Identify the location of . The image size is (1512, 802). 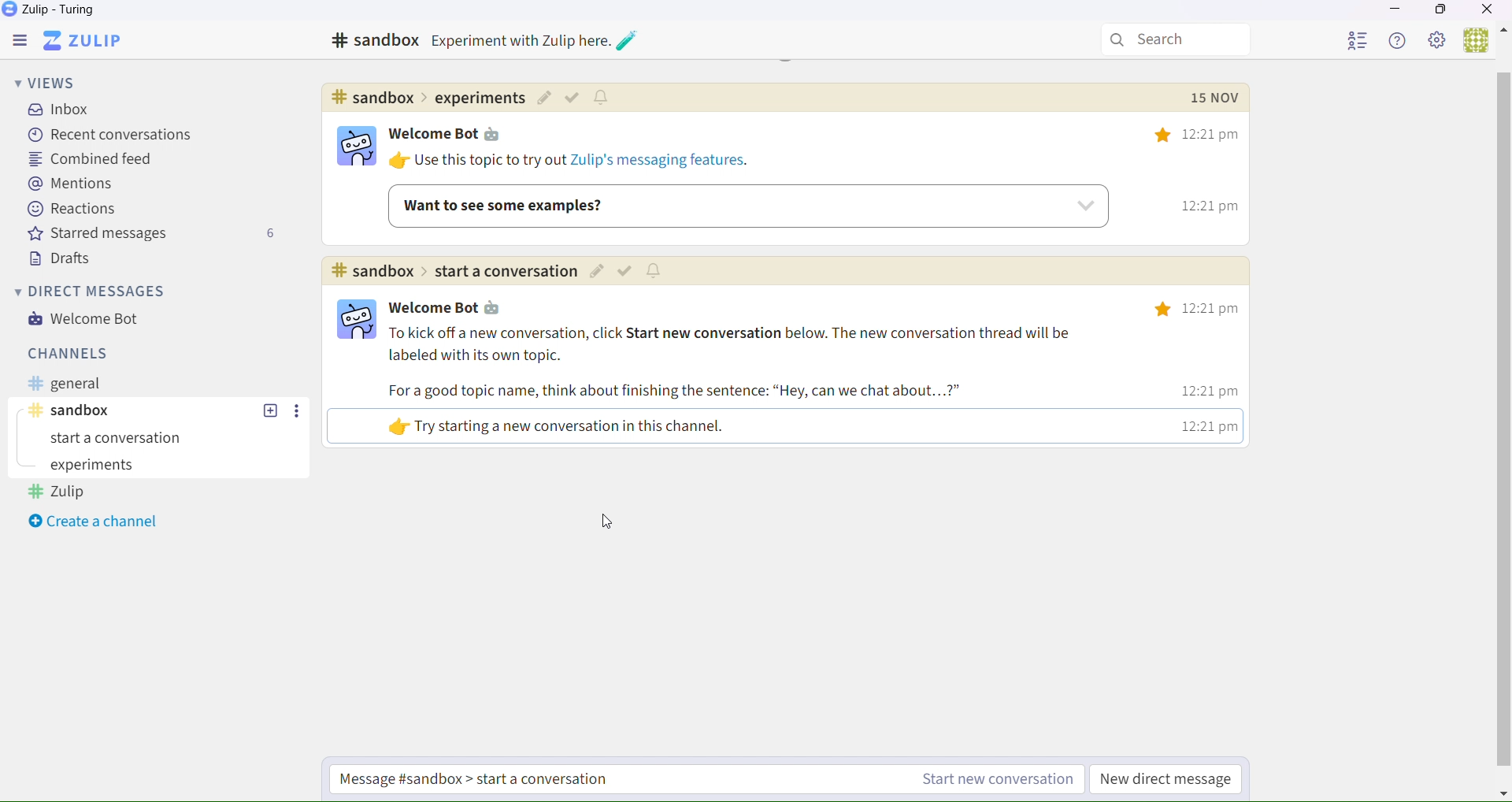
(428, 98).